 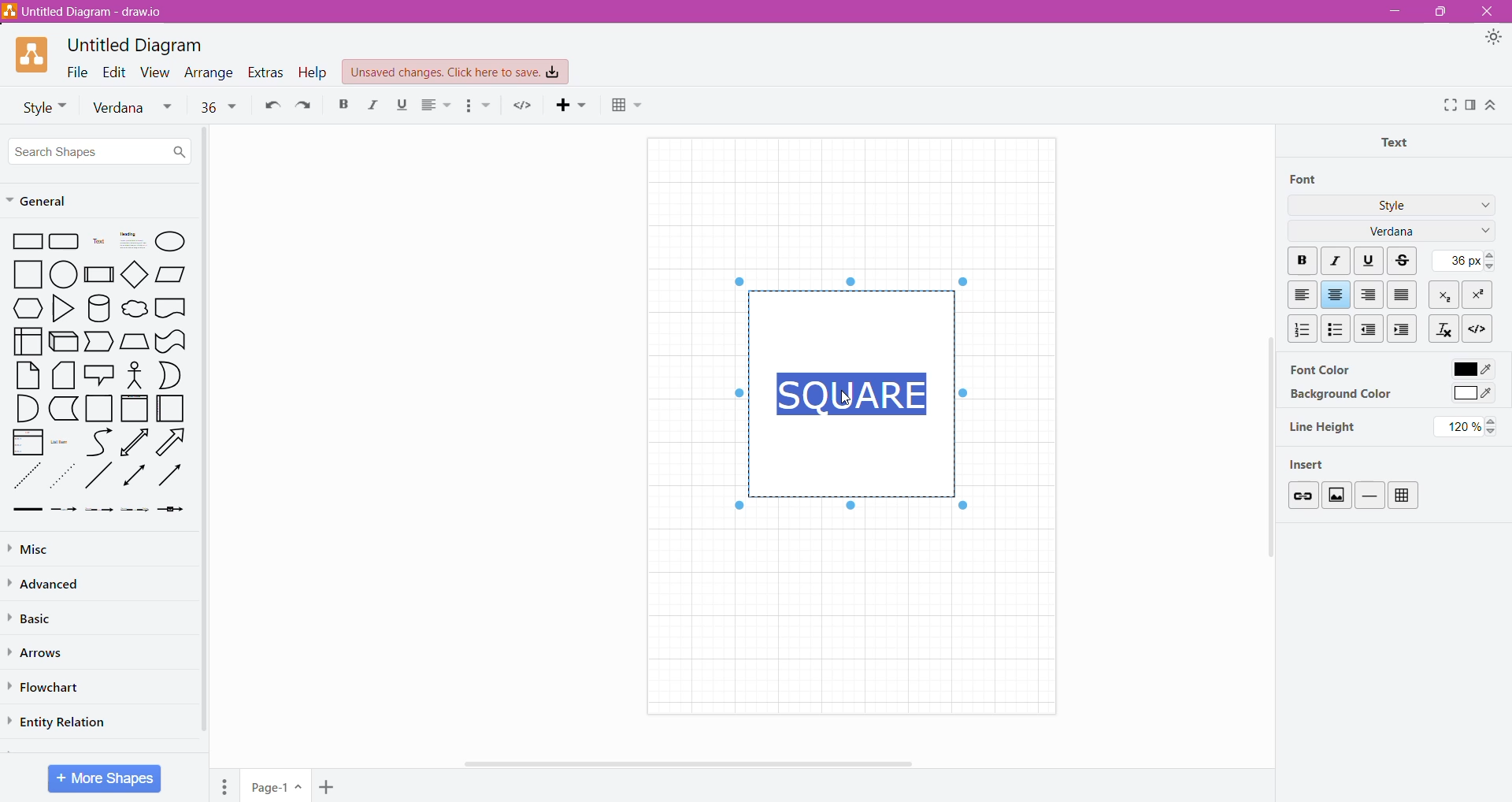 I want to click on Vertical Scroll Bar, so click(x=206, y=433).